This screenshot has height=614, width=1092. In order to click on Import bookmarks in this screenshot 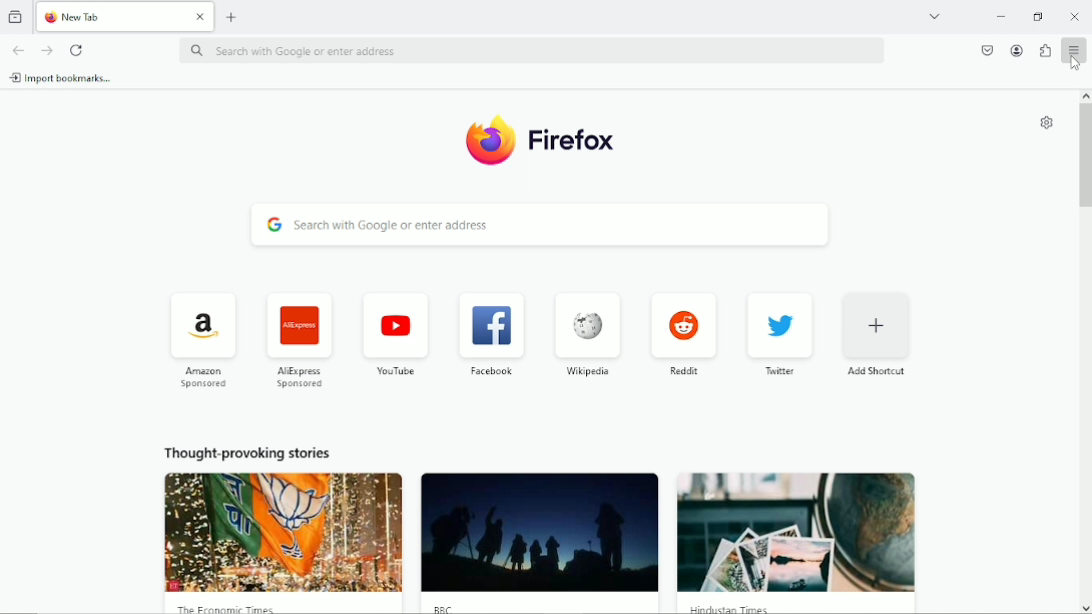, I will do `click(63, 78)`.